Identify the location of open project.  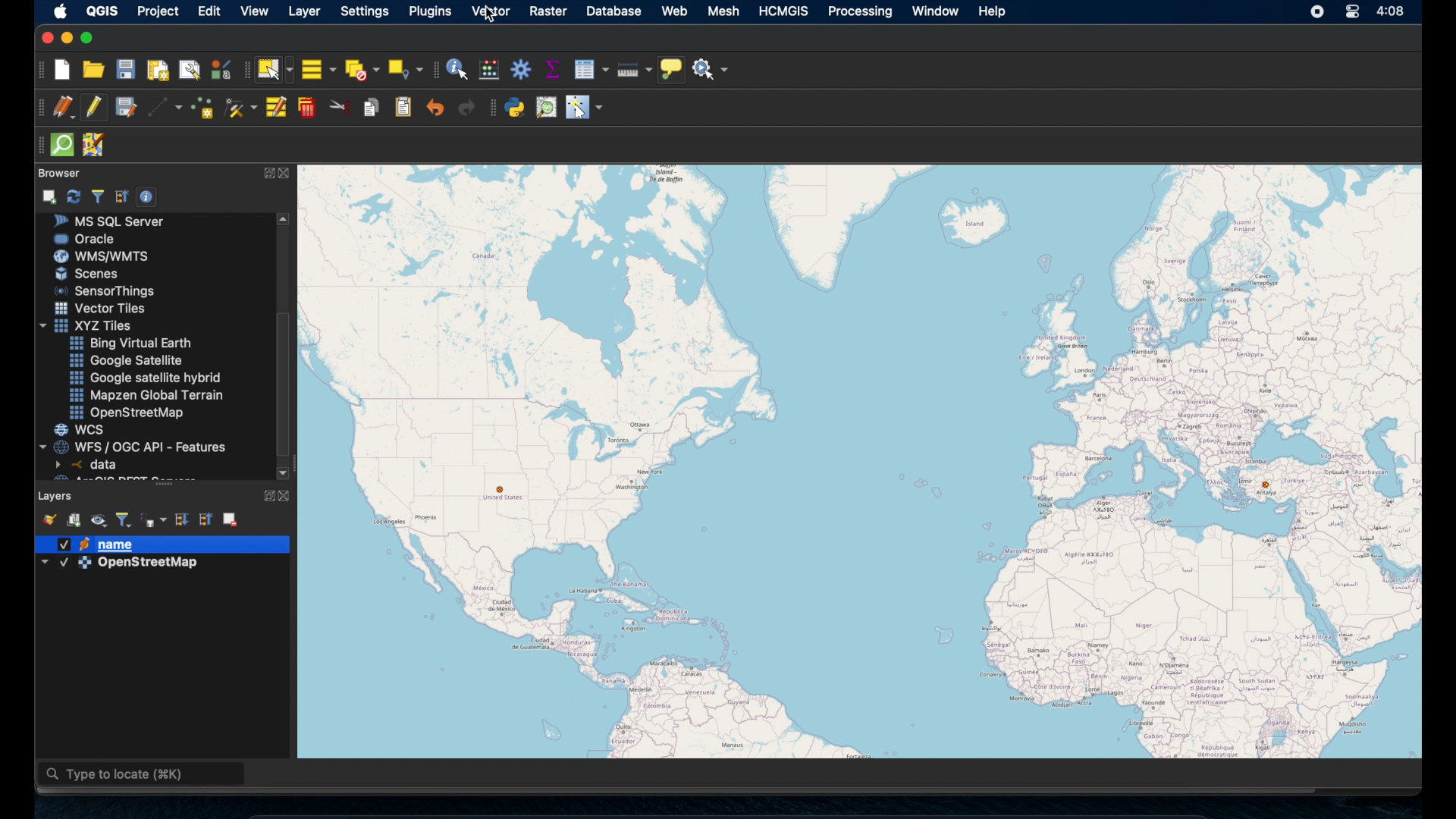
(94, 71).